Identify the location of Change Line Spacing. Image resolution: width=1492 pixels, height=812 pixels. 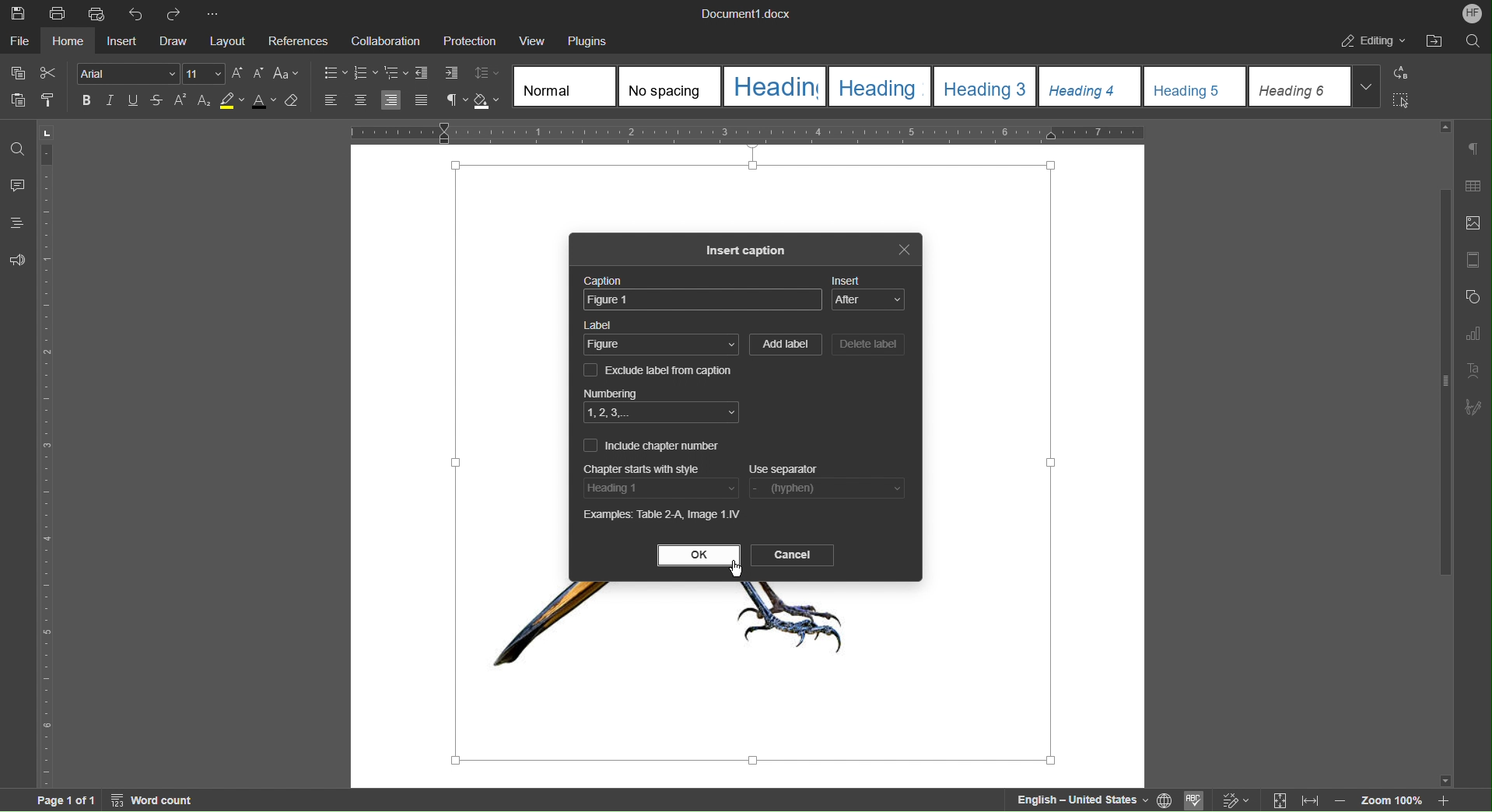
(487, 73).